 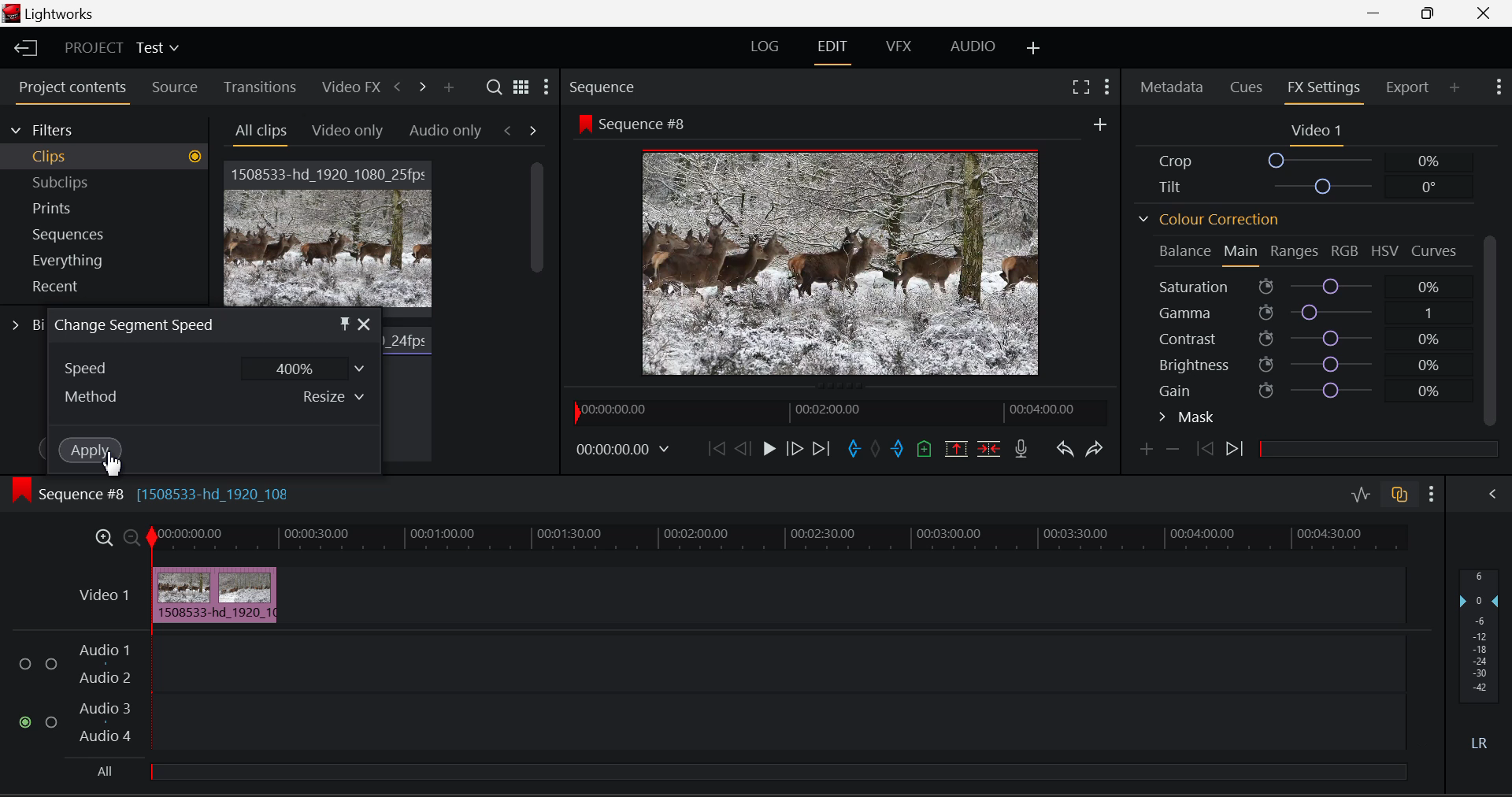 I want to click on LOG, so click(x=767, y=46).